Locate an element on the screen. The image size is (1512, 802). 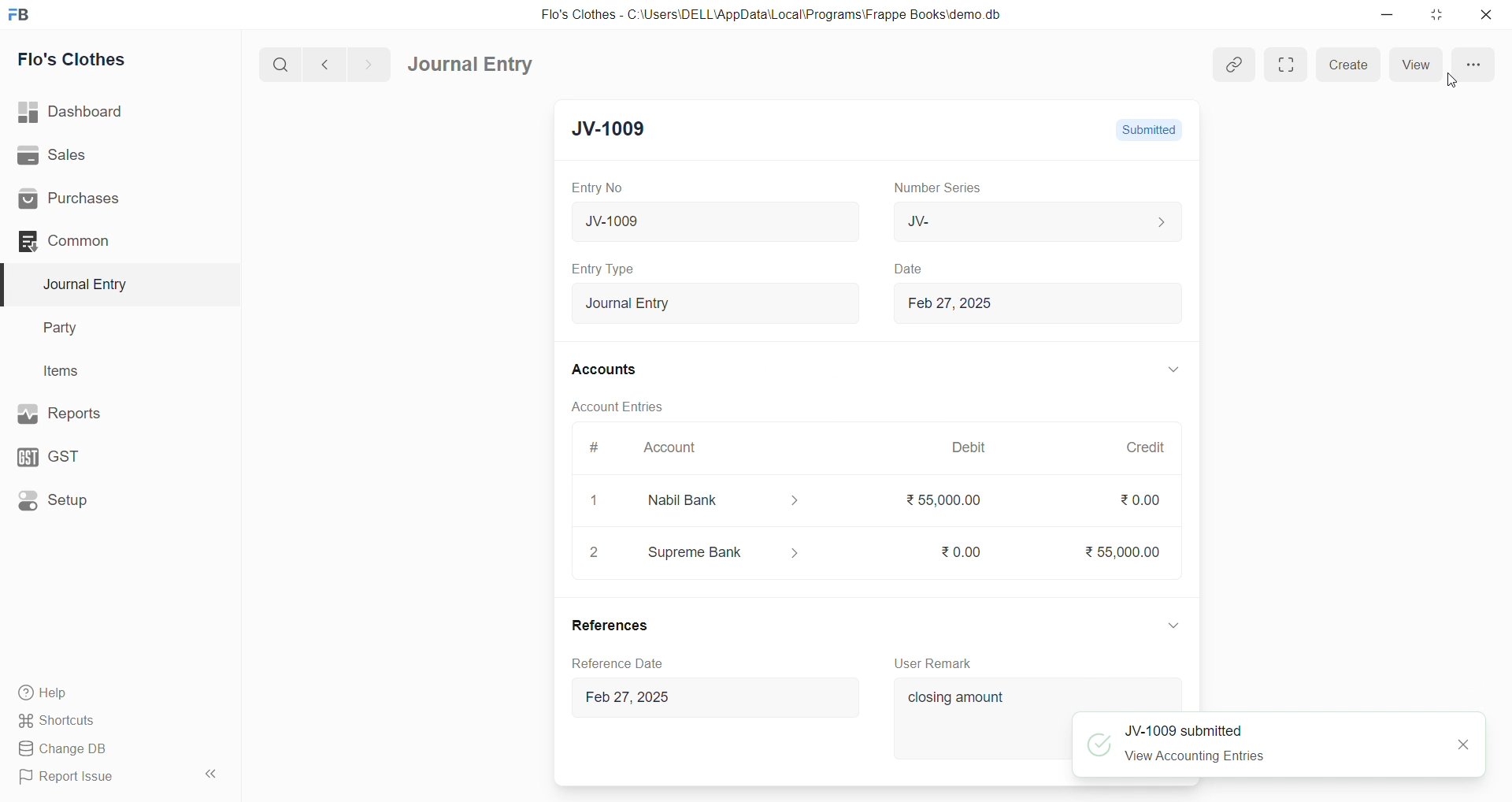
navigate backward is located at coordinates (327, 65).